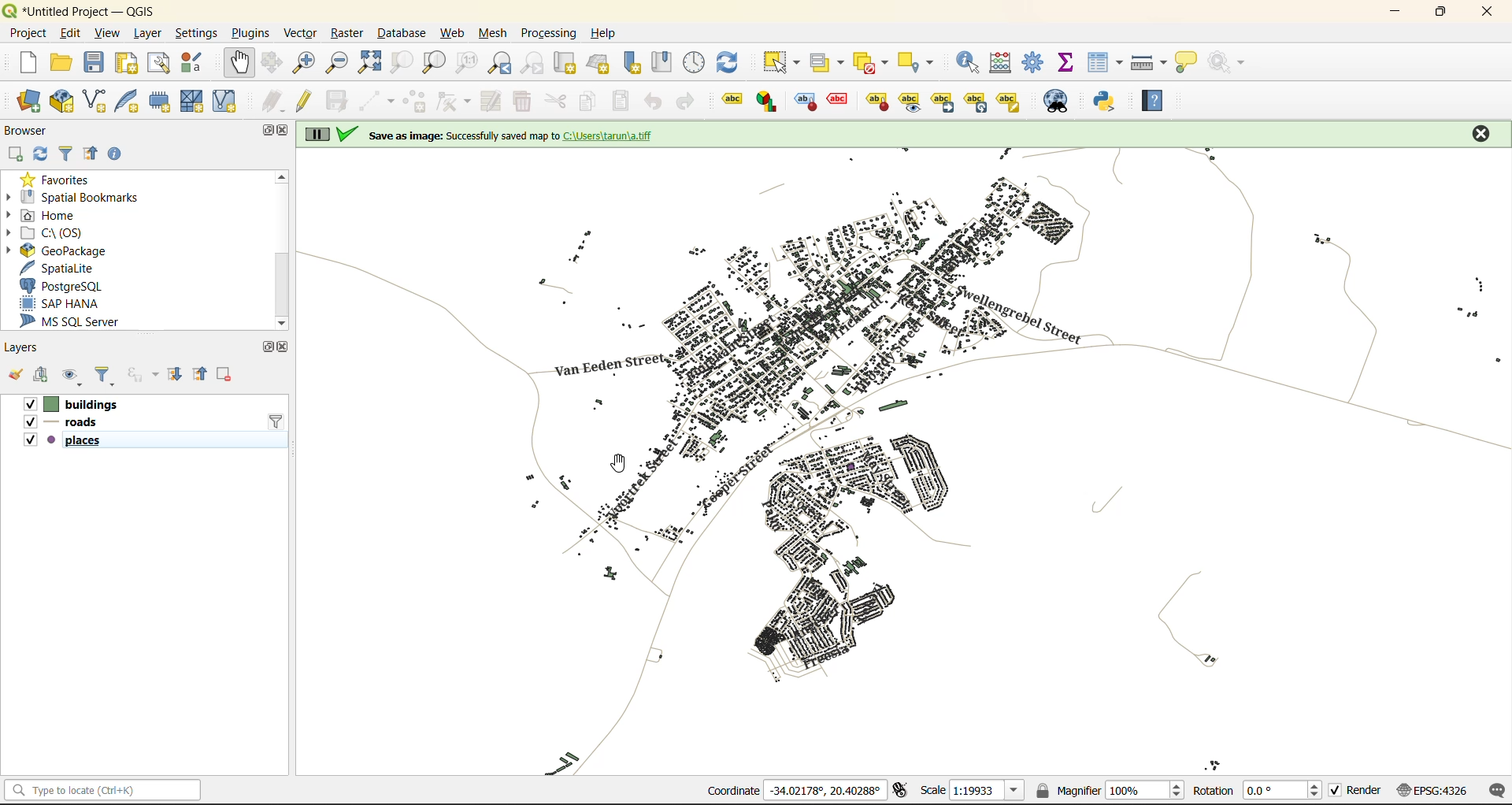 The height and width of the screenshot is (805, 1512). Describe the element at coordinates (732, 63) in the screenshot. I see `refresh` at that location.